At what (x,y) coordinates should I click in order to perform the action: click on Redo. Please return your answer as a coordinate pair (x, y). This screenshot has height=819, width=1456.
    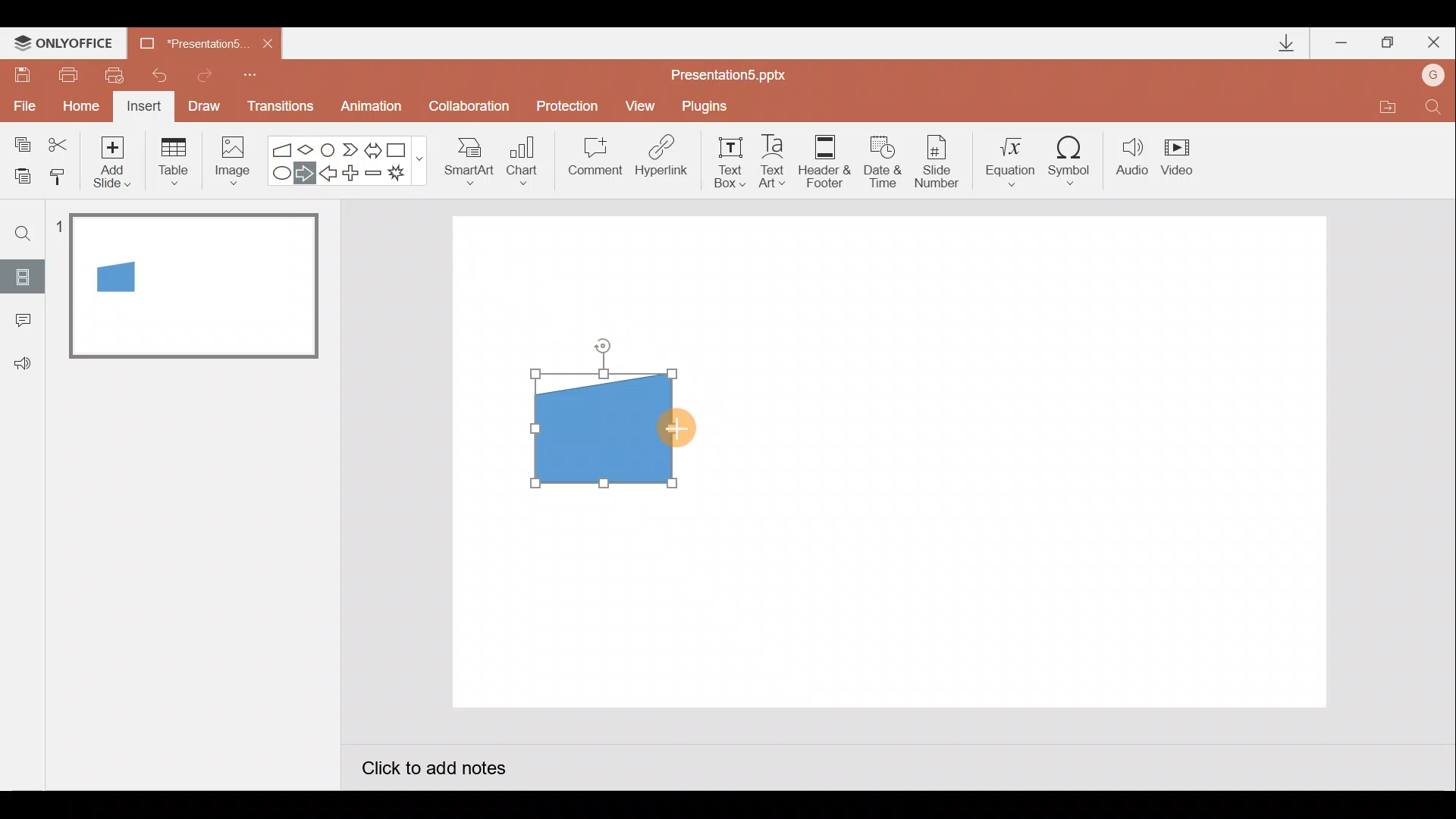
    Looking at the image, I should click on (206, 73).